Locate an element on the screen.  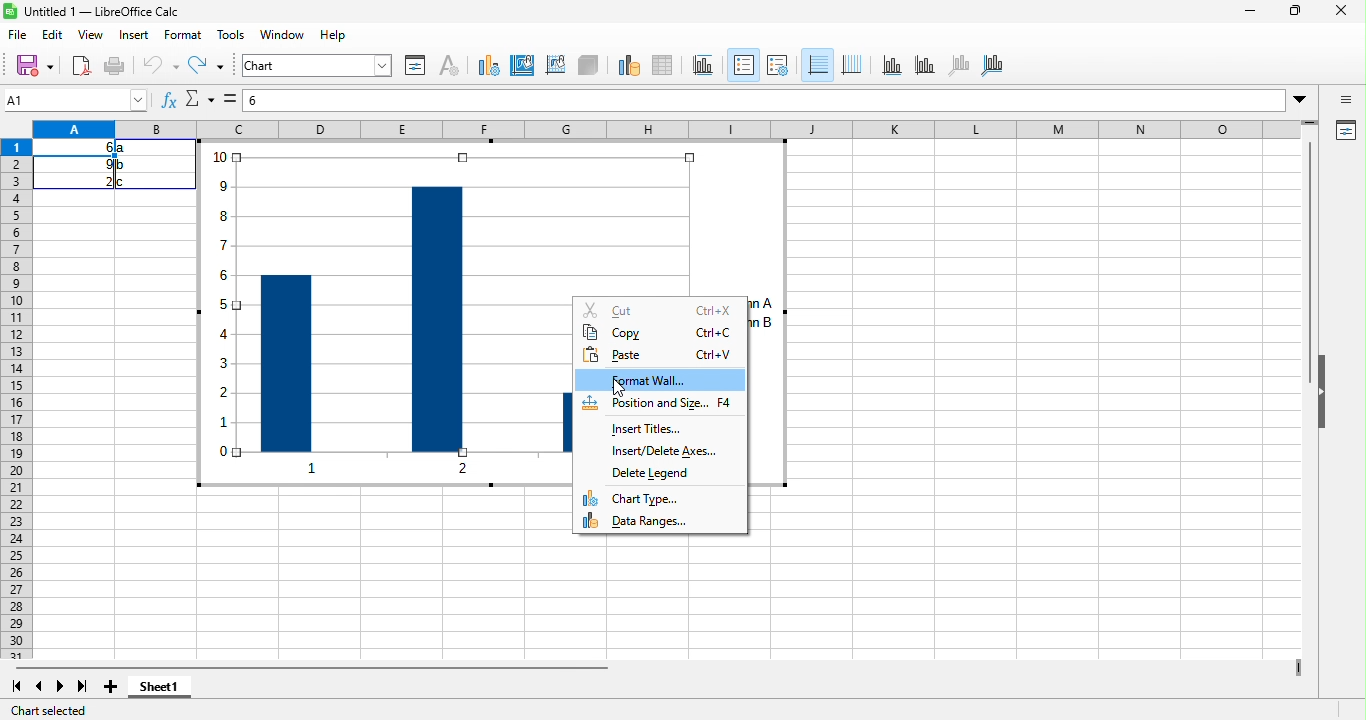
characters is located at coordinates (448, 64).